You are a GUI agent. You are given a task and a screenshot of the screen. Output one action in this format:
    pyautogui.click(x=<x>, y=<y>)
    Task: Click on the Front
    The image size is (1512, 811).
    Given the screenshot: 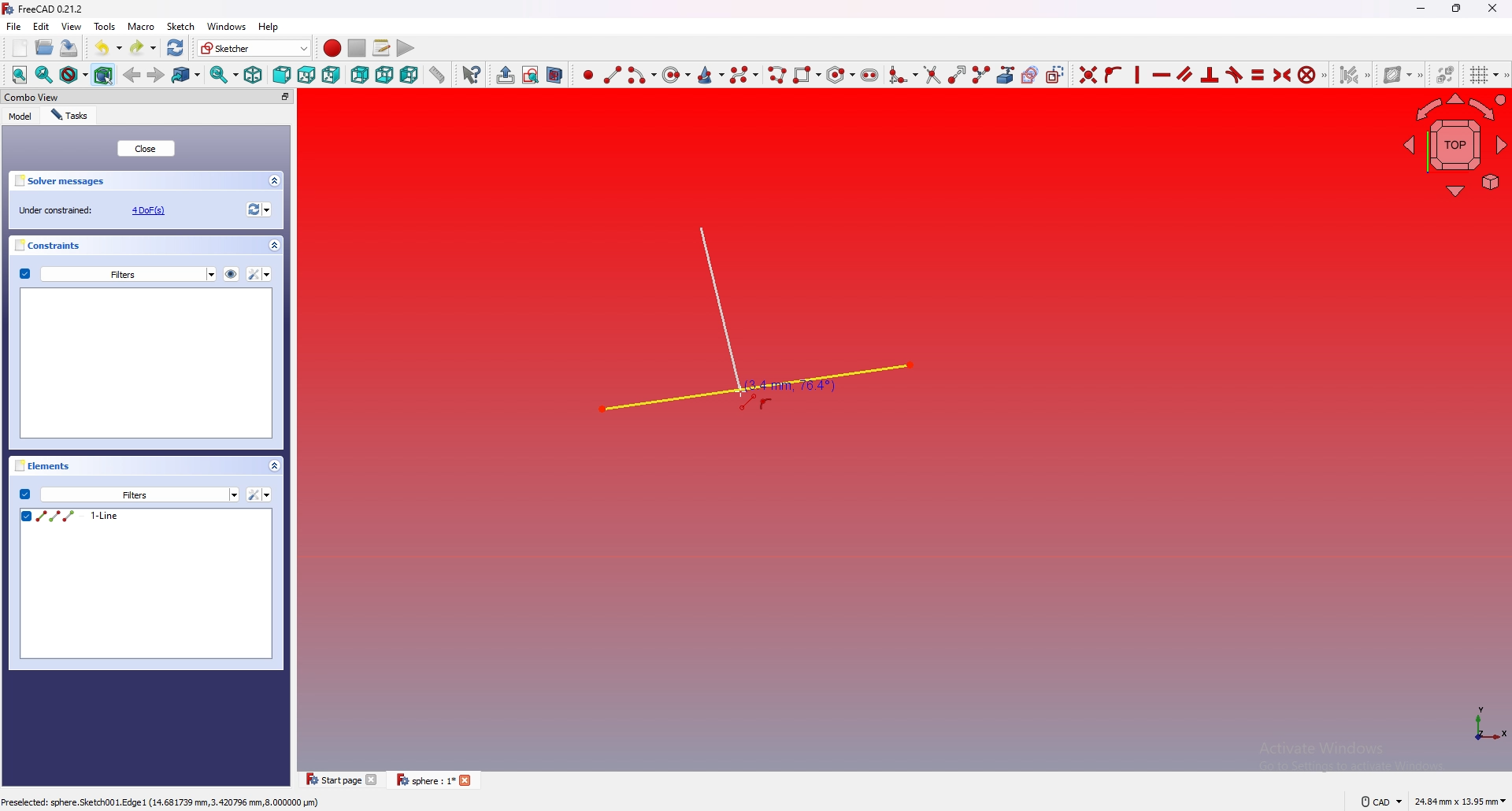 What is the action you would take?
    pyautogui.click(x=280, y=75)
    